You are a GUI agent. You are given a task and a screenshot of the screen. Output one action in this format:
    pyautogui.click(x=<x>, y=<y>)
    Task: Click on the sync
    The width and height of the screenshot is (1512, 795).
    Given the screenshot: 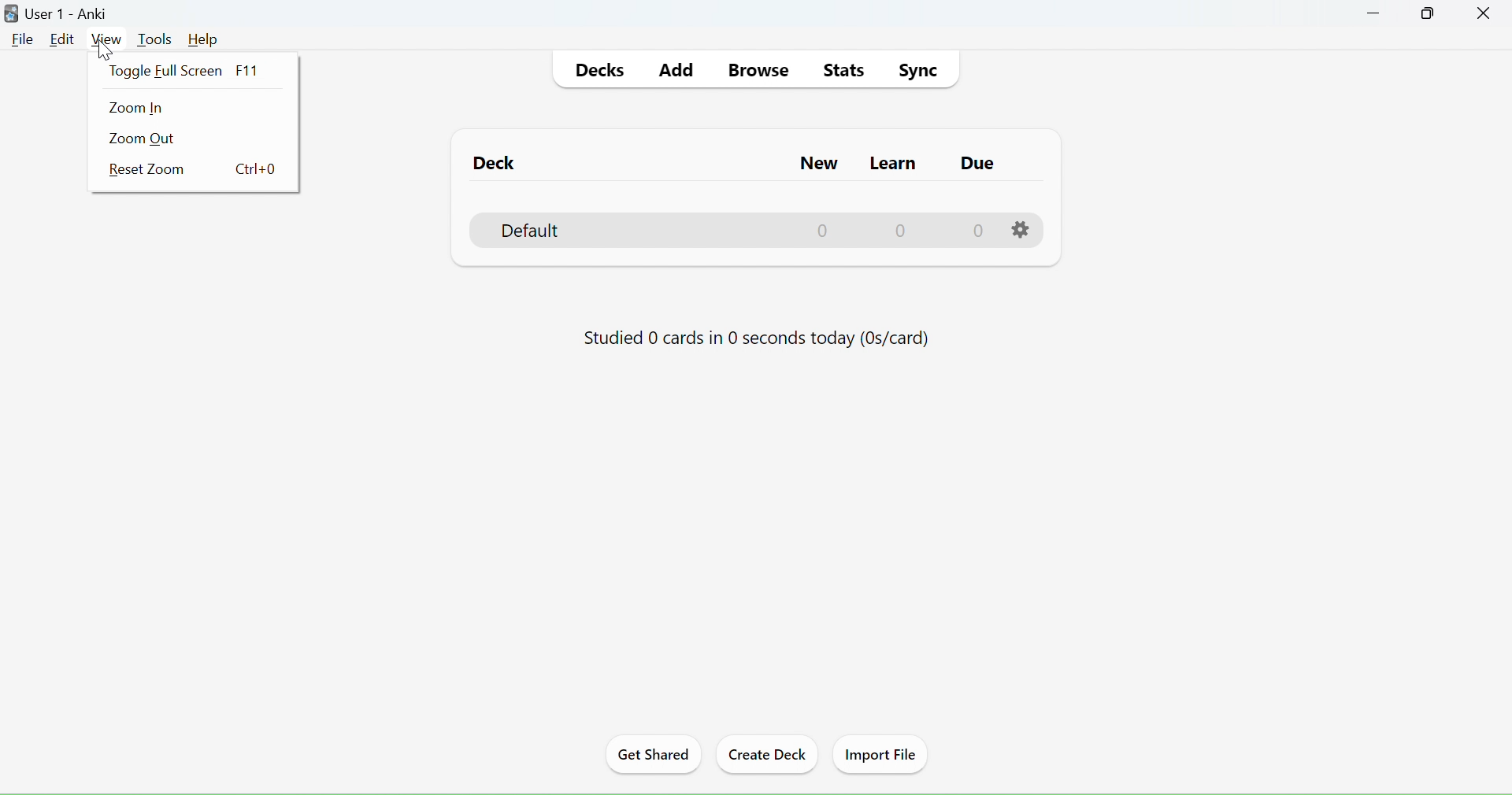 What is the action you would take?
    pyautogui.click(x=917, y=70)
    